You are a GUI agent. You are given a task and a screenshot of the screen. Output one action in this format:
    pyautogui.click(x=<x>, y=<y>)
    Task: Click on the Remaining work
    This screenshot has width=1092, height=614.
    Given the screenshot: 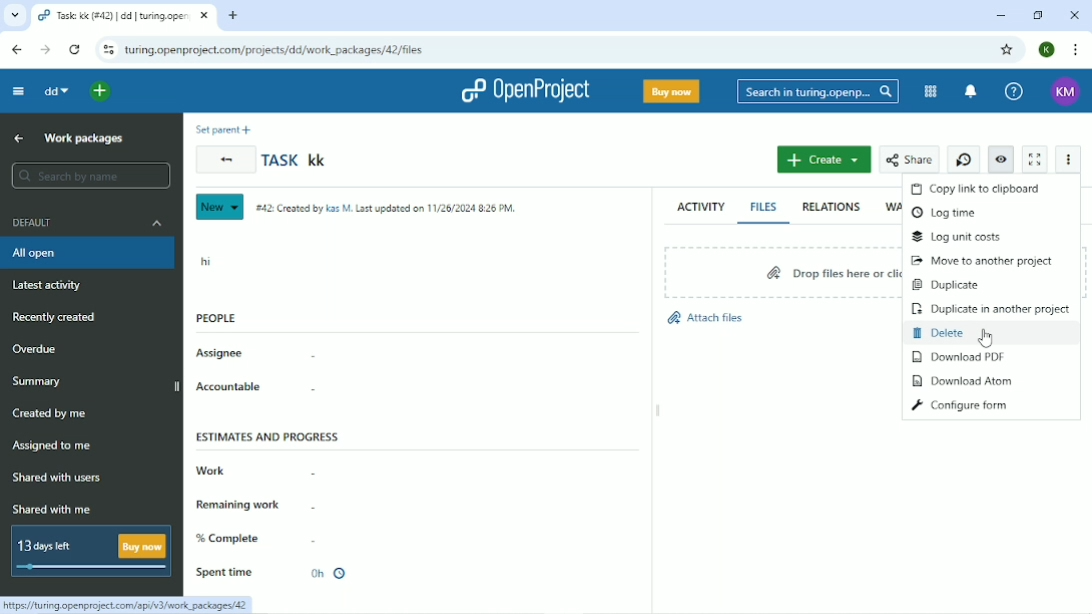 What is the action you would take?
    pyautogui.click(x=255, y=504)
    